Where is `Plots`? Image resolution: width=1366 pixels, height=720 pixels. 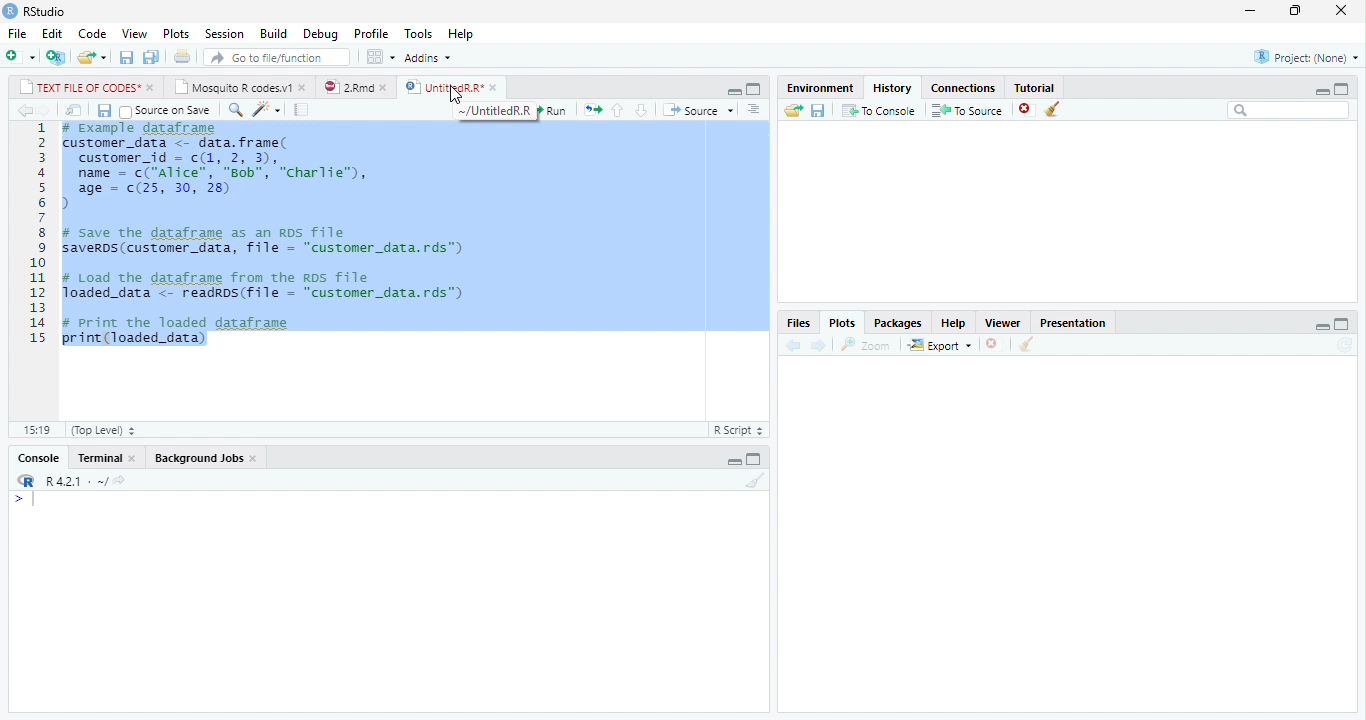 Plots is located at coordinates (175, 34).